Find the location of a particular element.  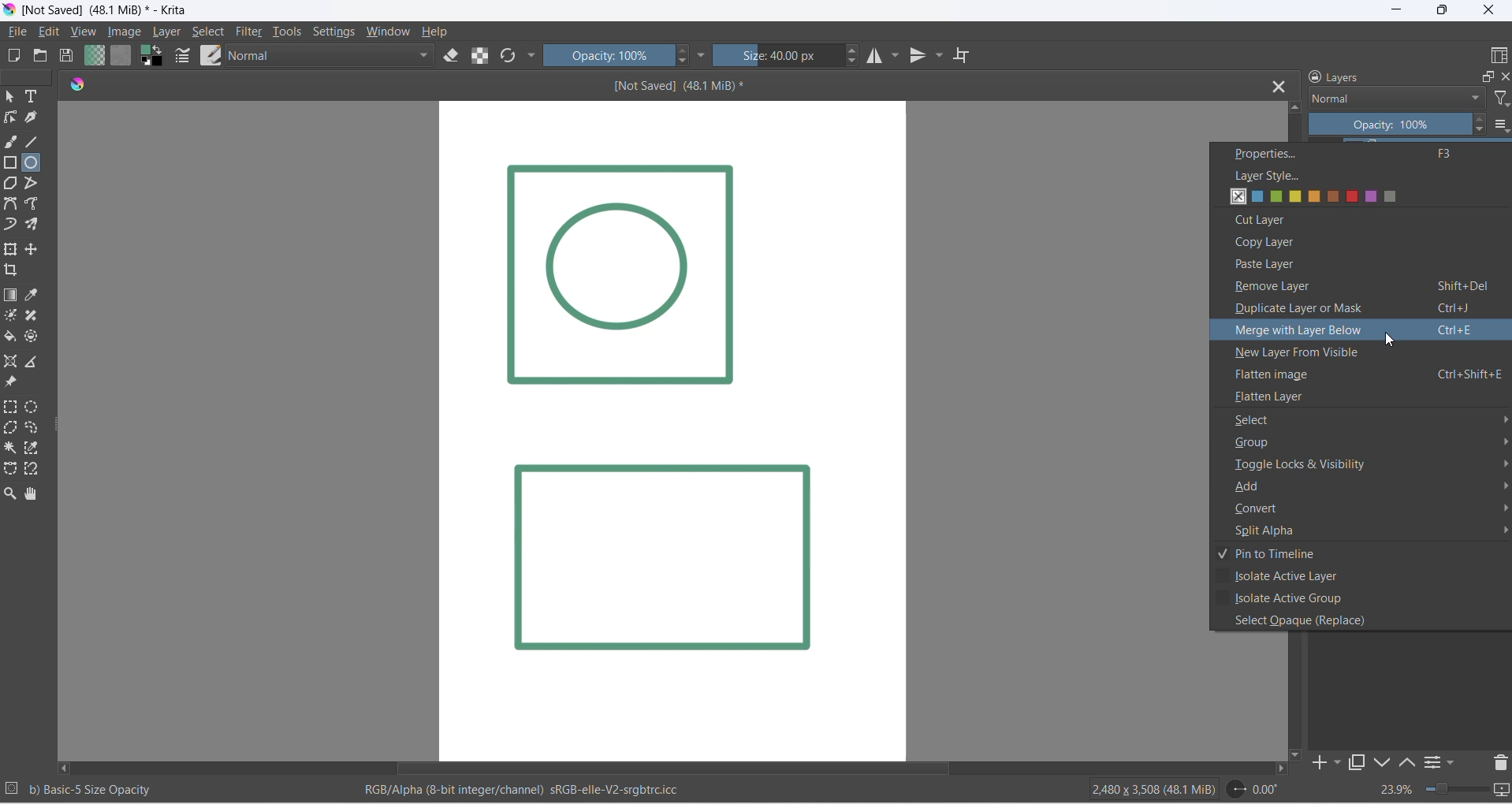

flatten layer is located at coordinates (1361, 396).